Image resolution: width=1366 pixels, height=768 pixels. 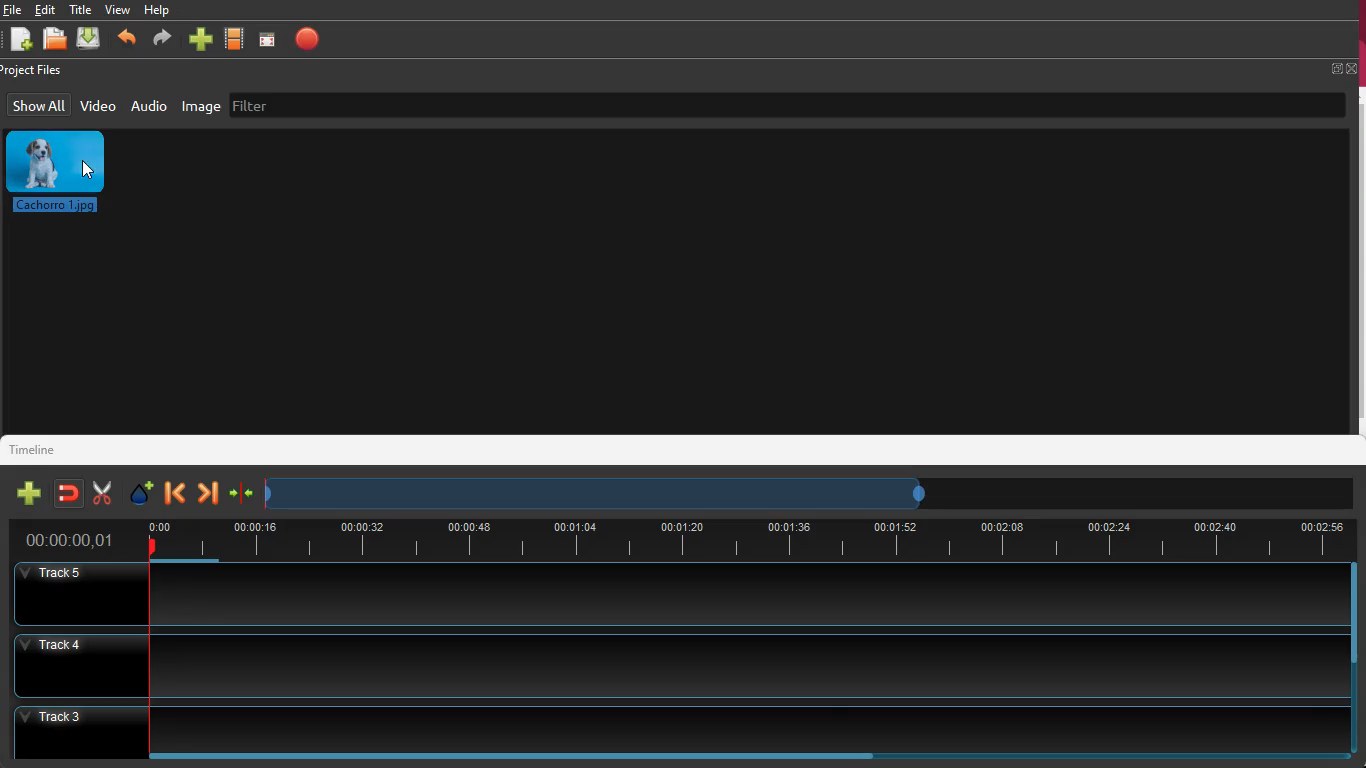 What do you see at coordinates (96, 108) in the screenshot?
I see `video` at bounding box center [96, 108].